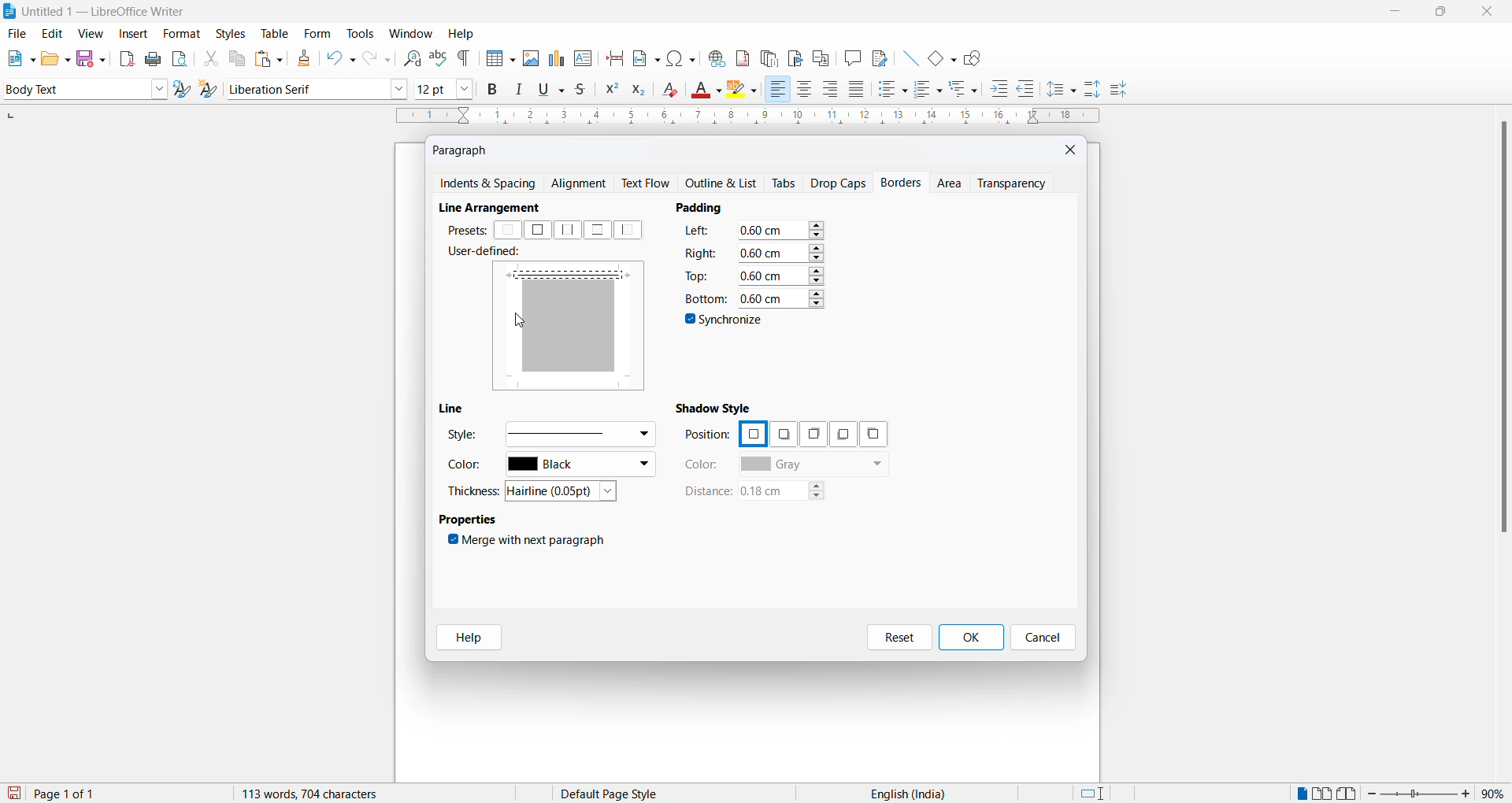 This screenshot has width=1512, height=803. I want to click on text align right, so click(833, 90).